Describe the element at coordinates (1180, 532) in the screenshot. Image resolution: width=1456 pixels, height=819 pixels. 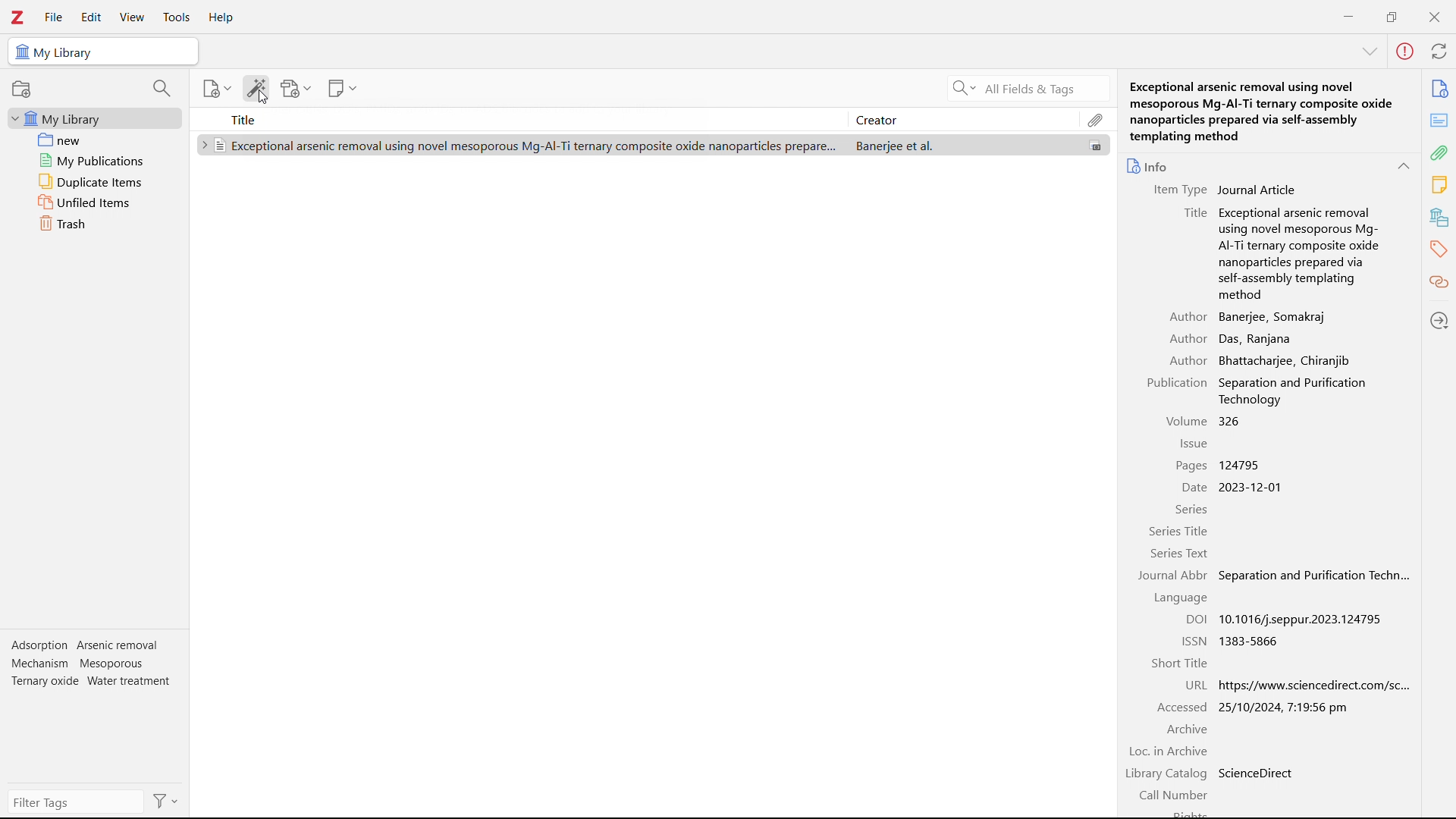
I see `Series title` at that location.